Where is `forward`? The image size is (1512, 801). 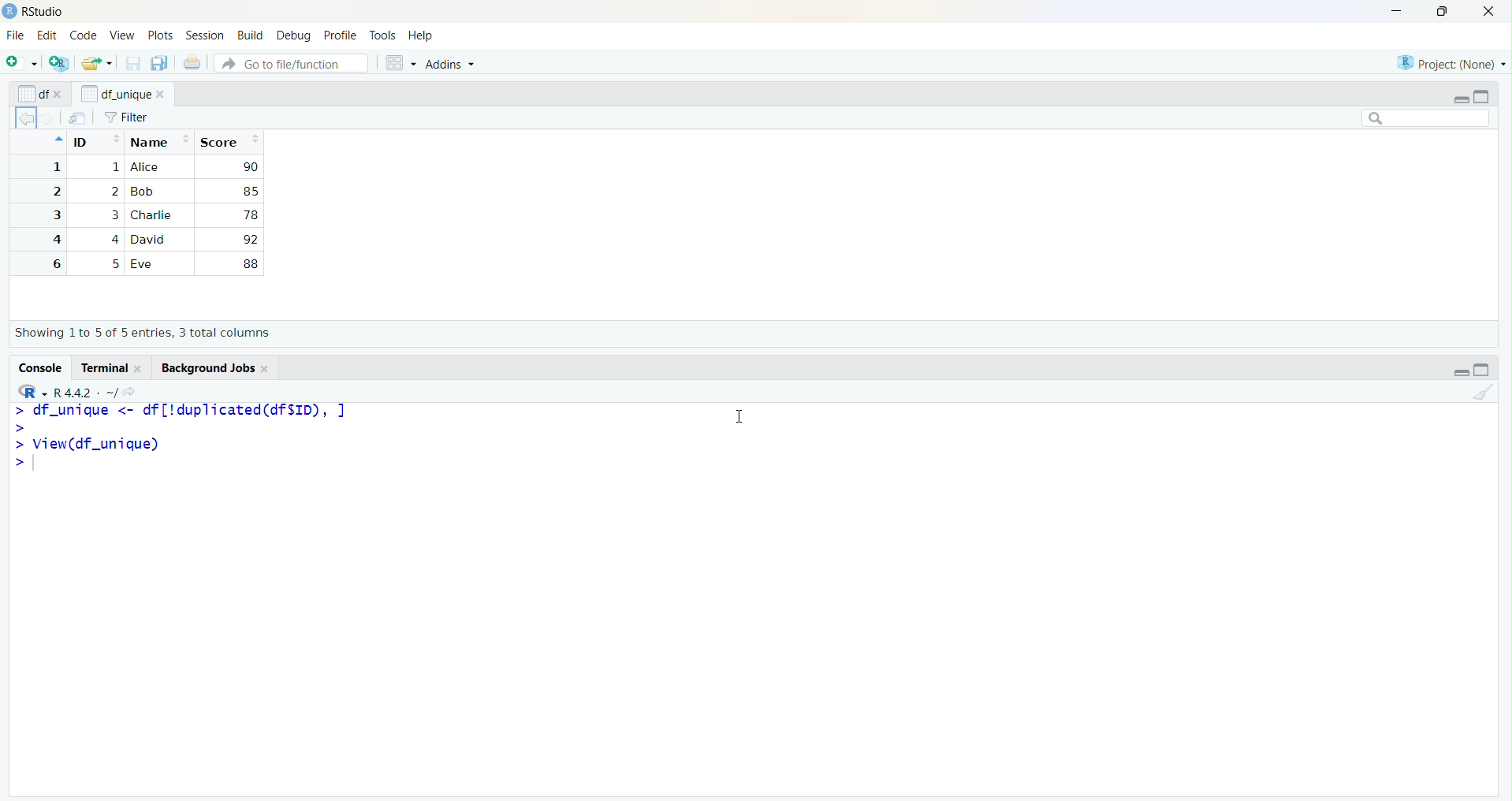
forward is located at coordinates (49, 119).